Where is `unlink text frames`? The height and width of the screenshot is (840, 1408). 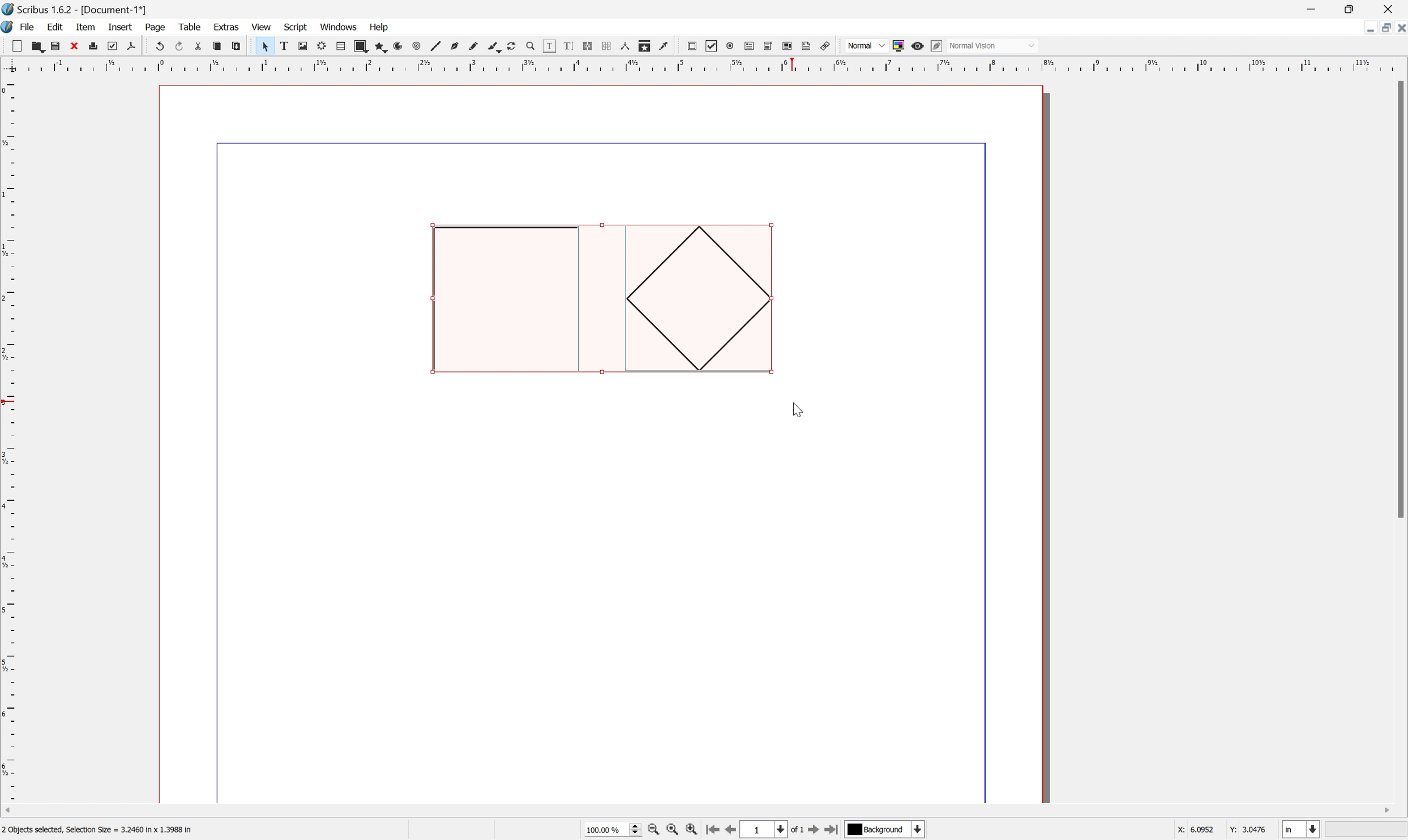
unlink text frames is located at coordinates (605, 46).